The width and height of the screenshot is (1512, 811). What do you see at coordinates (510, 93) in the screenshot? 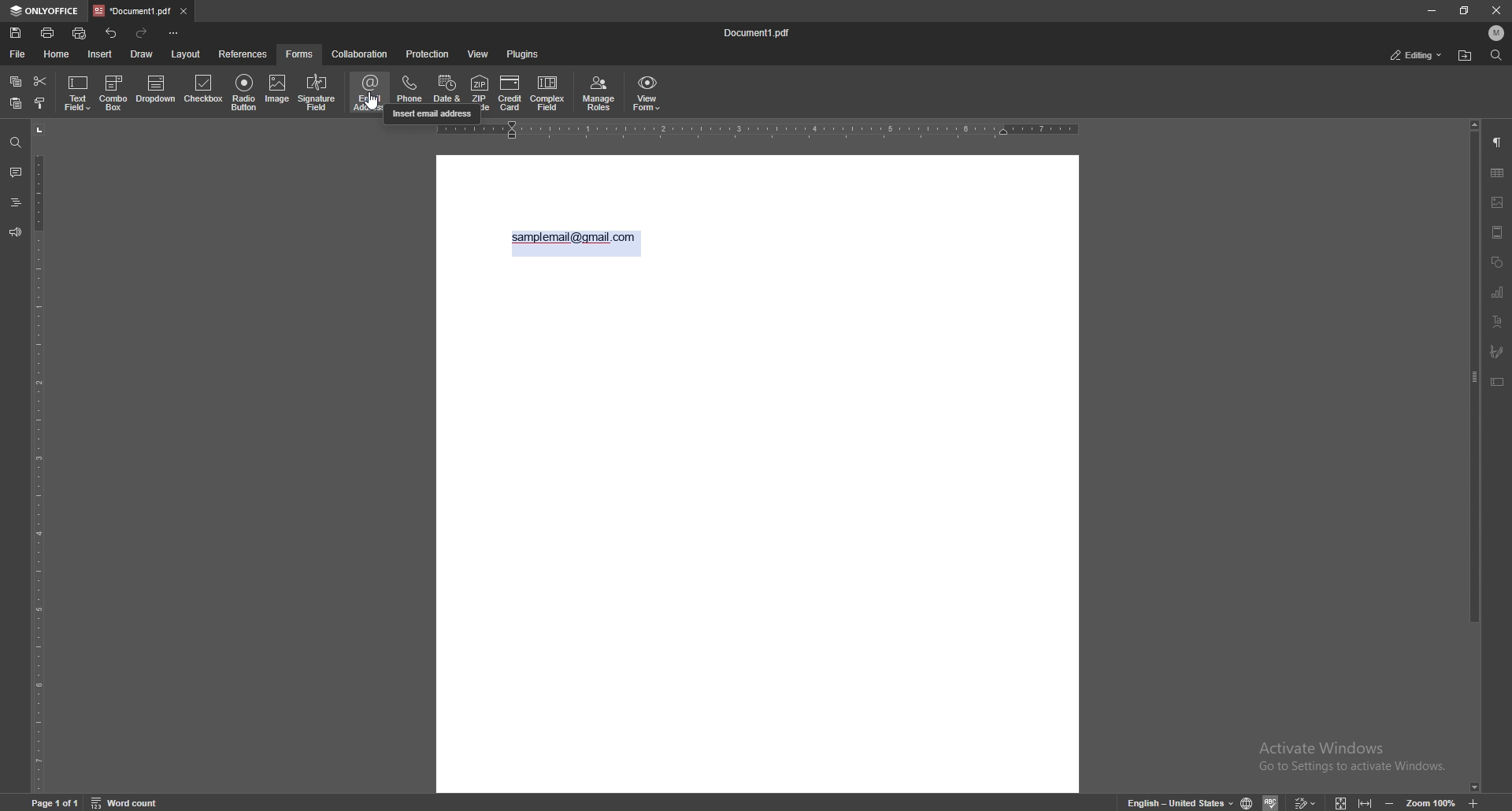
I see `credit card` at bounding box center [510, 93].